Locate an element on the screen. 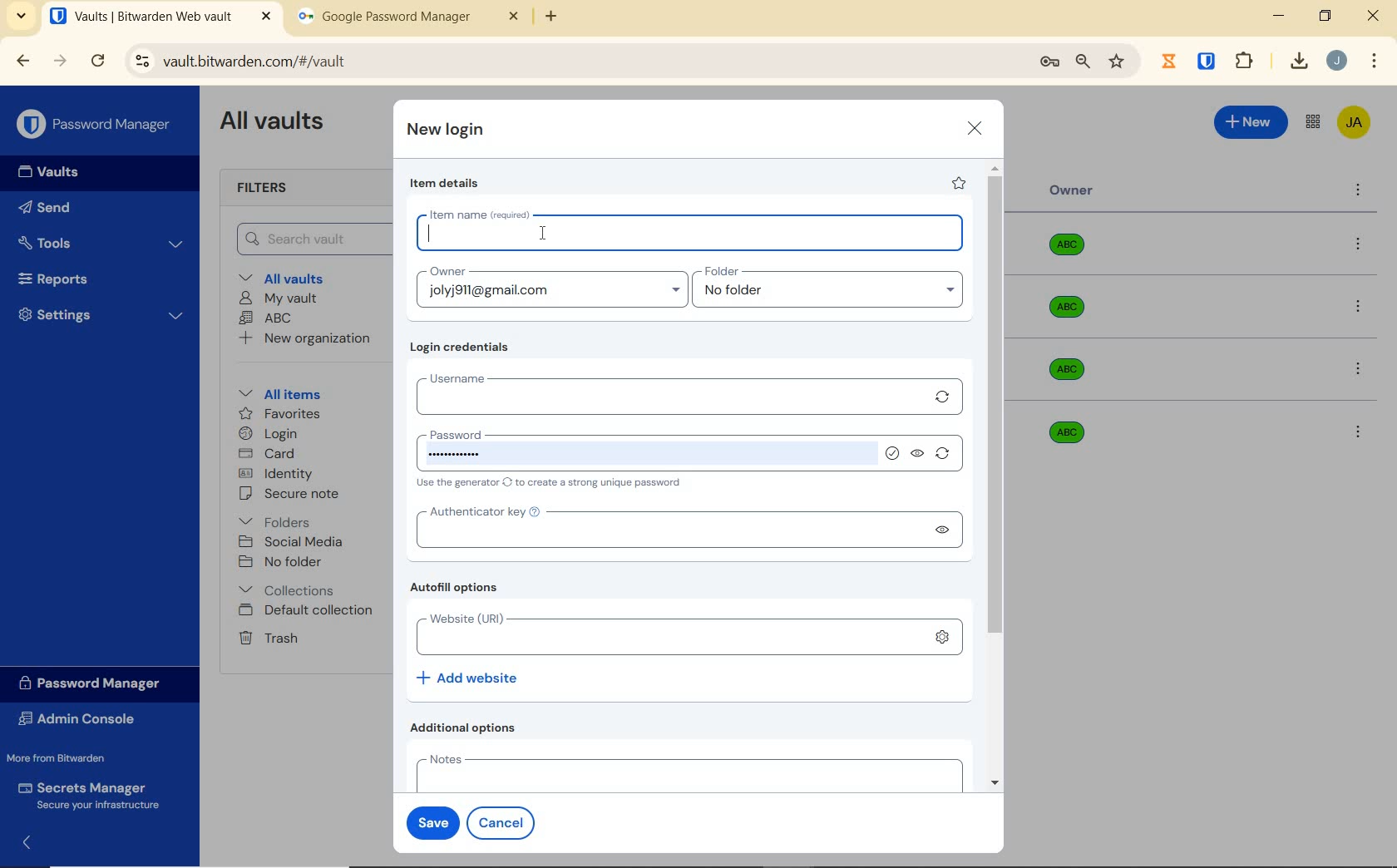 This screenshot has width=1397, height=868. Filters is located at coordinates (268, 189).